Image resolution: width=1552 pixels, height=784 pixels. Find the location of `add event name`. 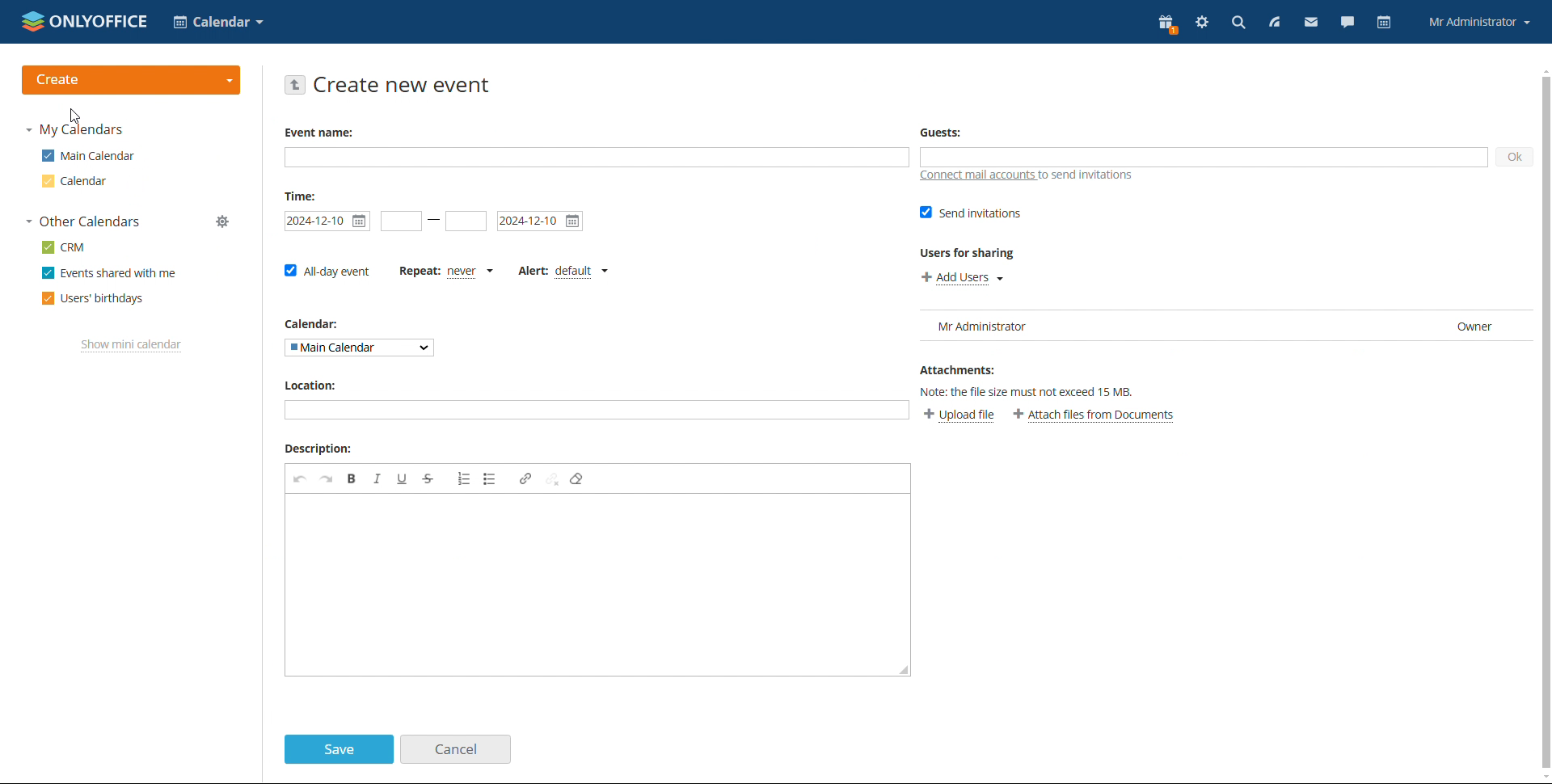

add event name is located at coordinates (597, 158).